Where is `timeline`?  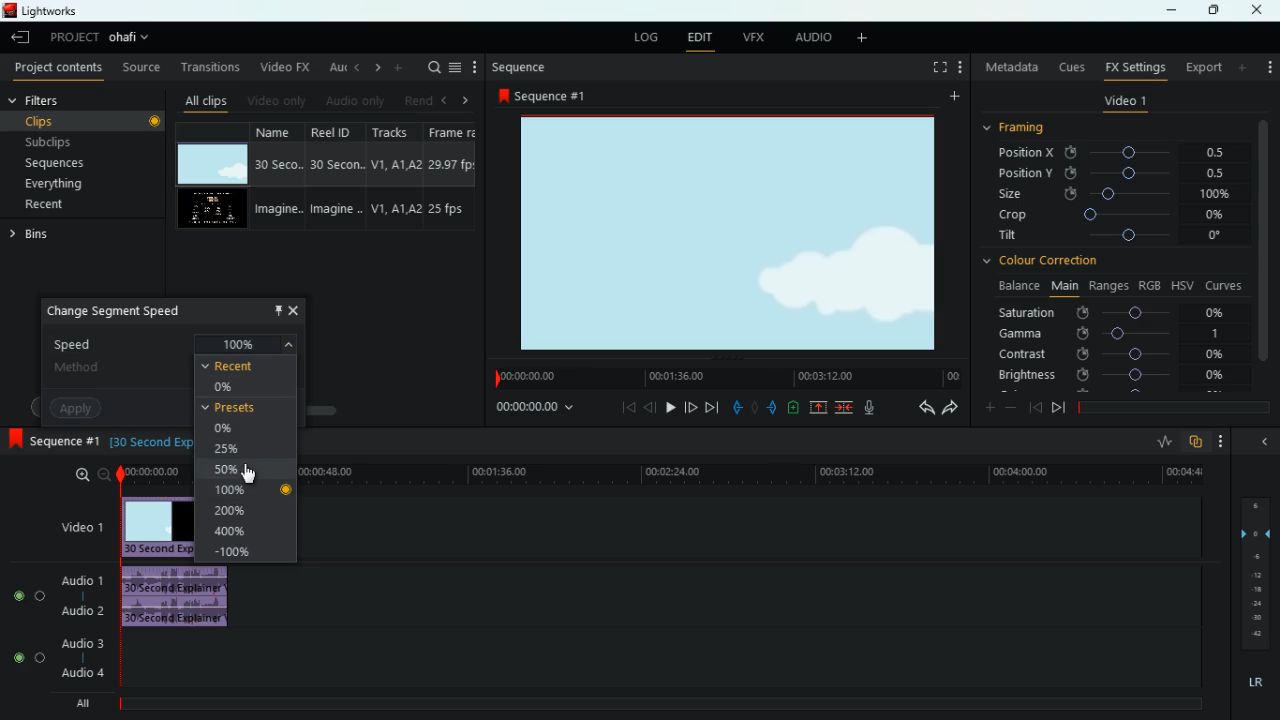 timeline is located at coordinates (725, 377).